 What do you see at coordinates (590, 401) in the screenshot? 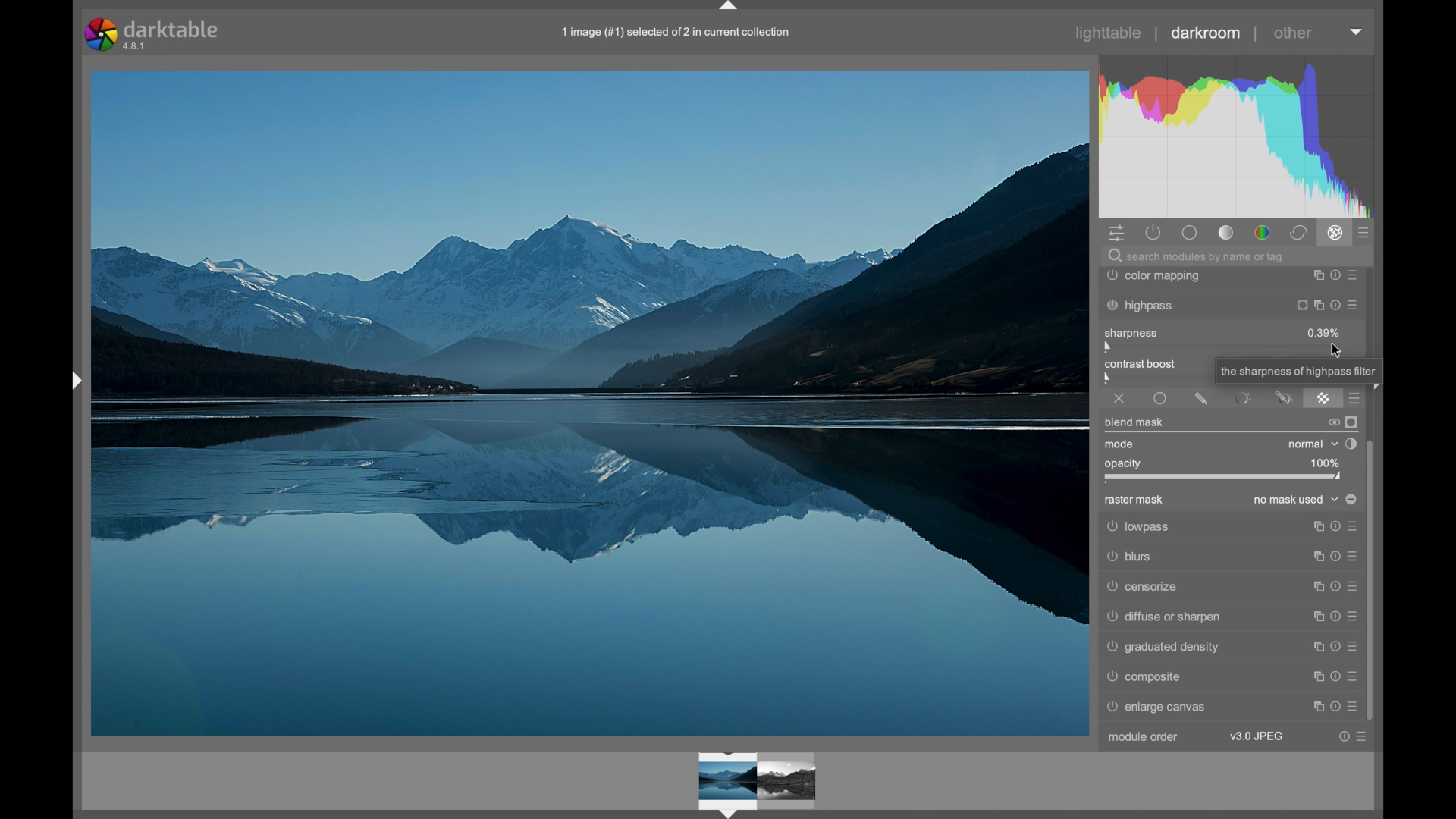
I see `photo` at bounding box center [590, 401].